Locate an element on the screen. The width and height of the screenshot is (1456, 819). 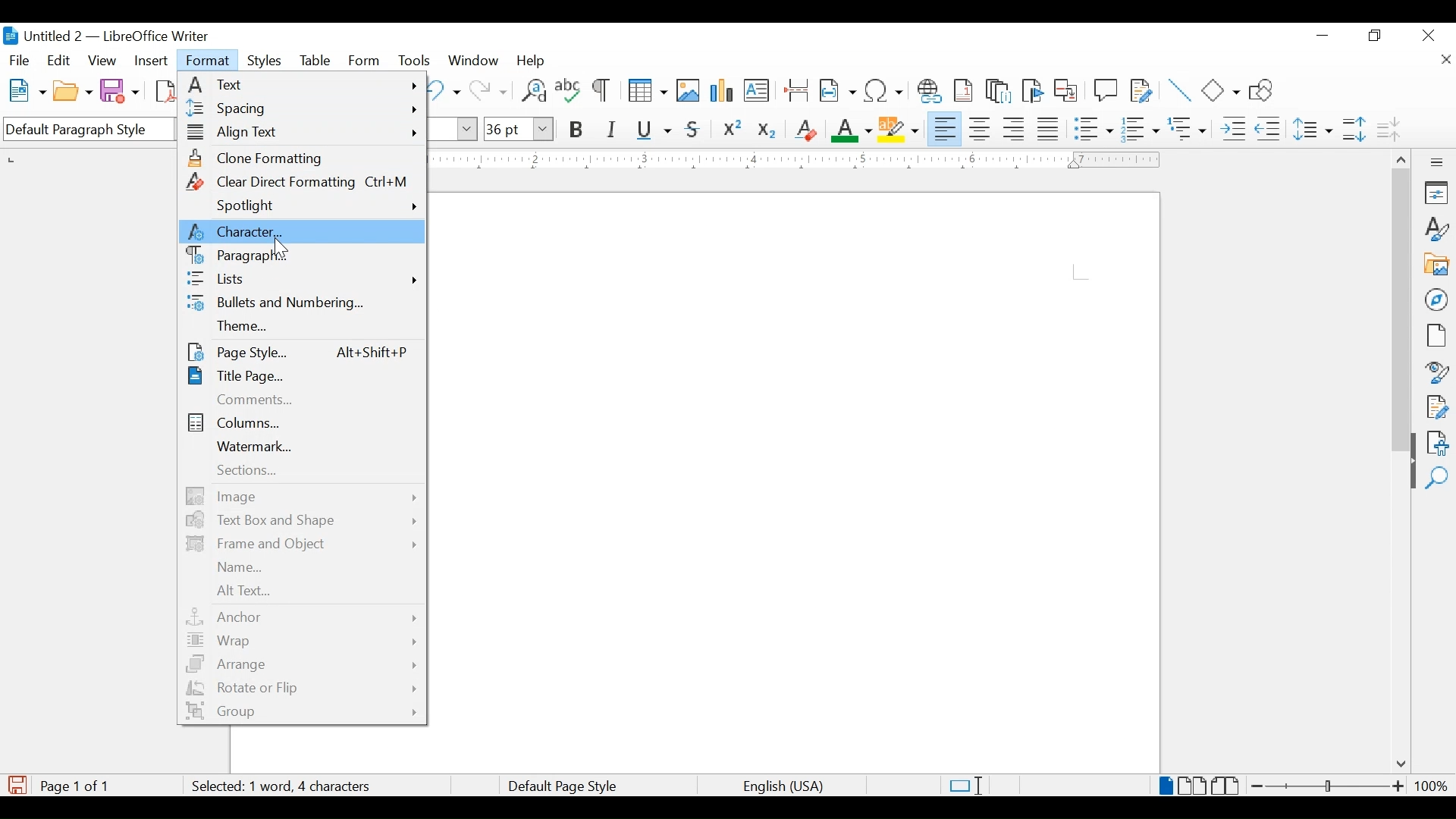
arrange menu is located at coordinates (303, 665).